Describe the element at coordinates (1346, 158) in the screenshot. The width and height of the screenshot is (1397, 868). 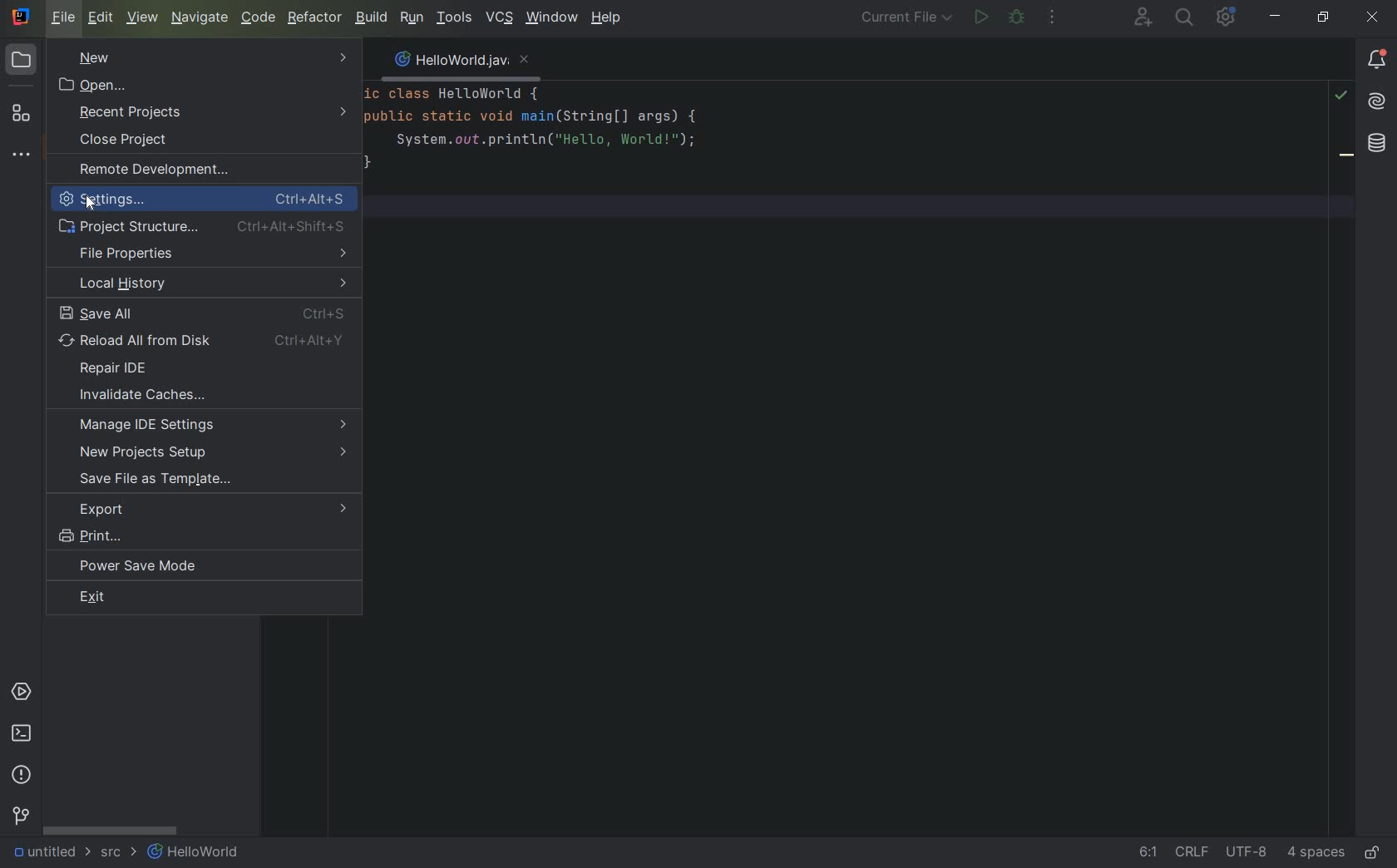
I see `bookmark` at that location.